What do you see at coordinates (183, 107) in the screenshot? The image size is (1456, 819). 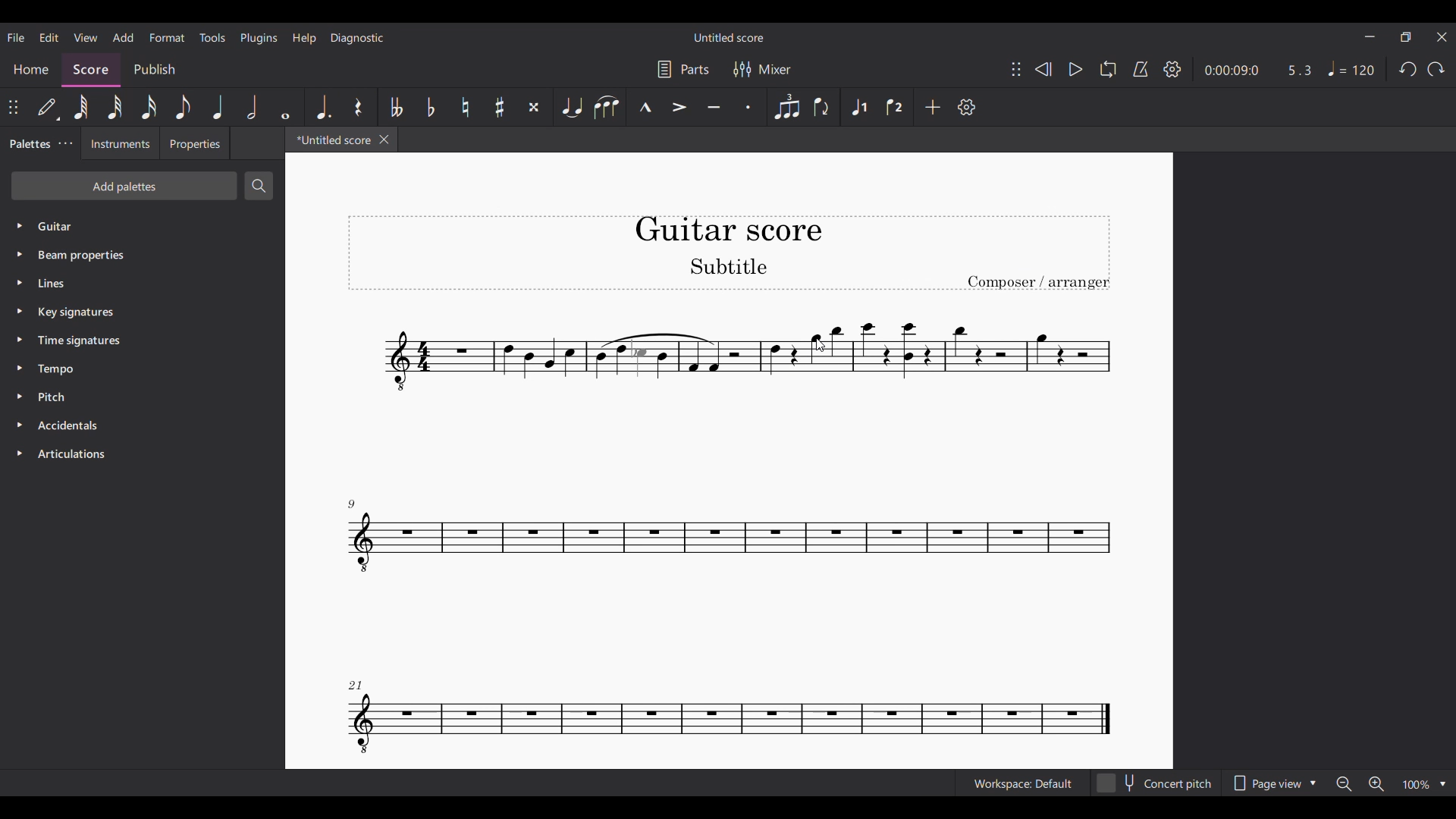 I see `8th note` at bounding box center [183, 107].